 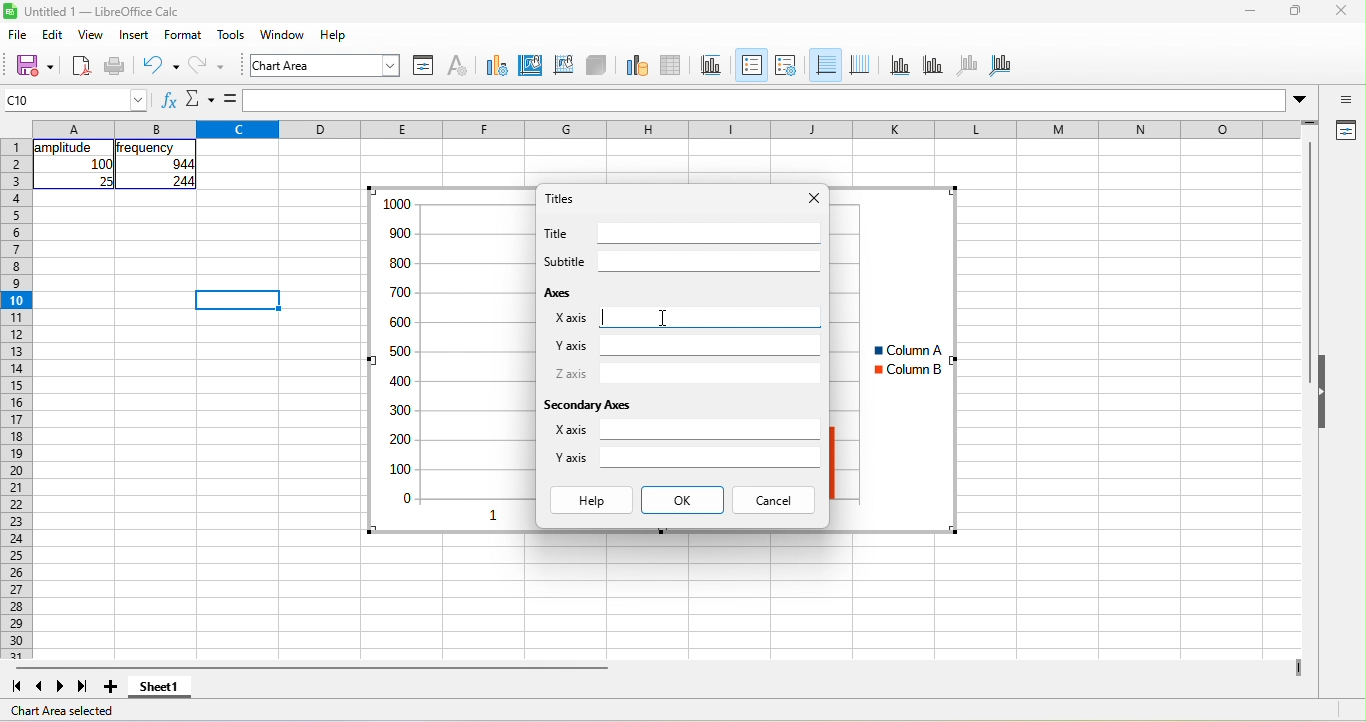 What do you see at coordinates (711, 345) in the screenshot?
I see `Input for y axis` at bounding box center [711, 345].